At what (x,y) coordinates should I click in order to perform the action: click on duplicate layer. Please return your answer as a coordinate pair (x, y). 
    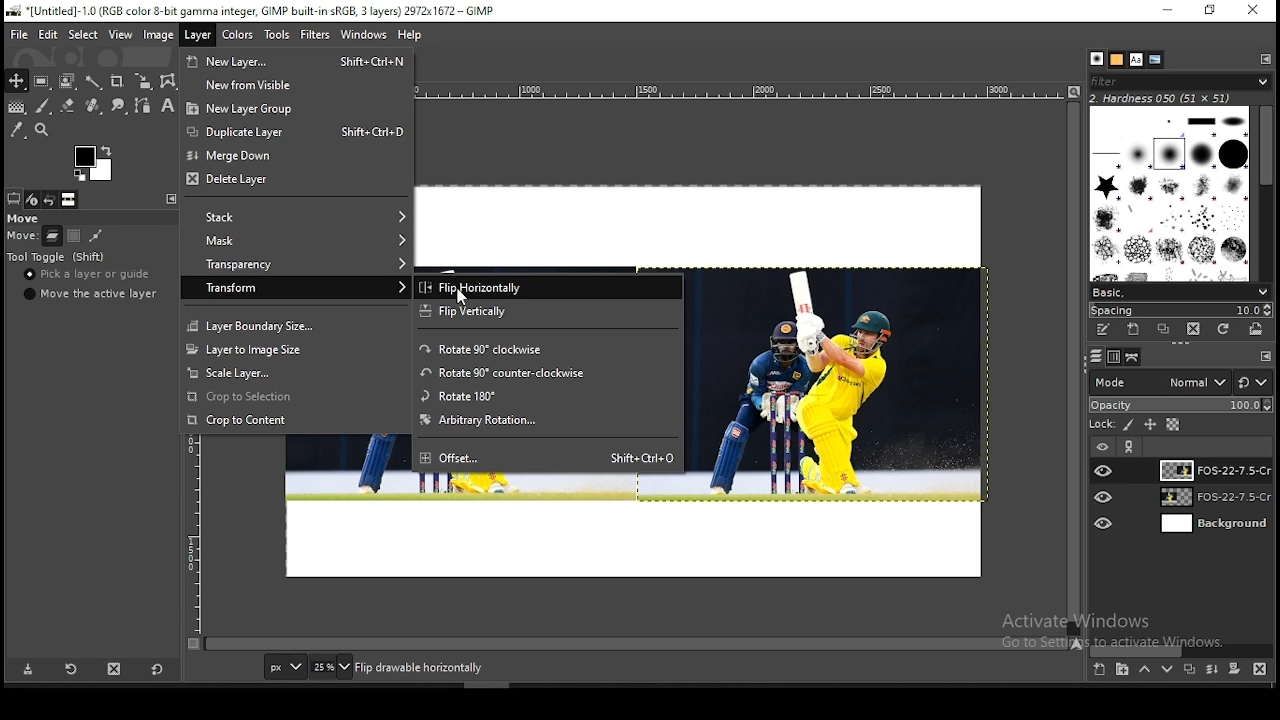
    Looking at the image, I should click on (1186, 672).